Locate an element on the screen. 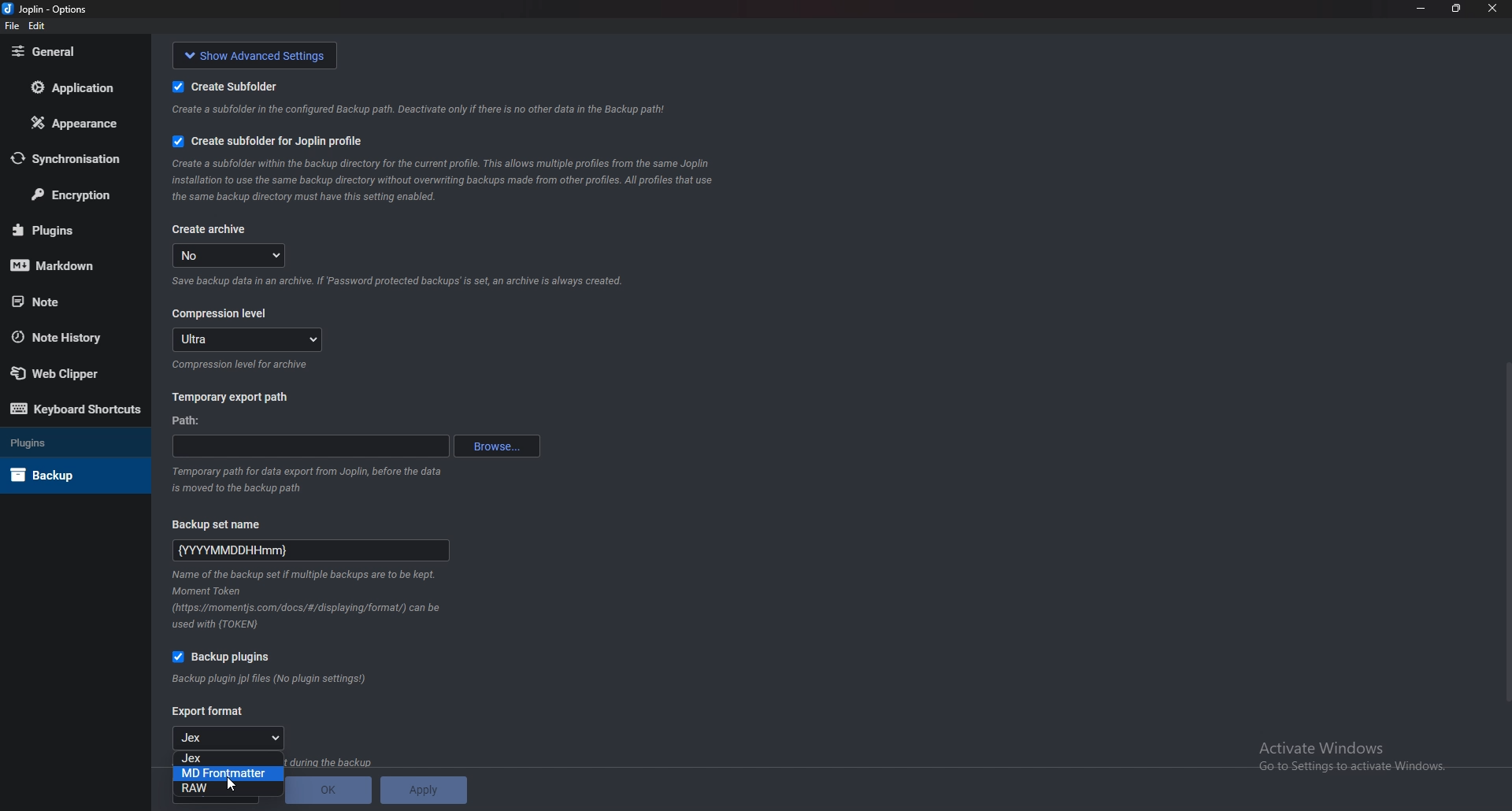  md frontmatter is located at coordinates (228, 774).